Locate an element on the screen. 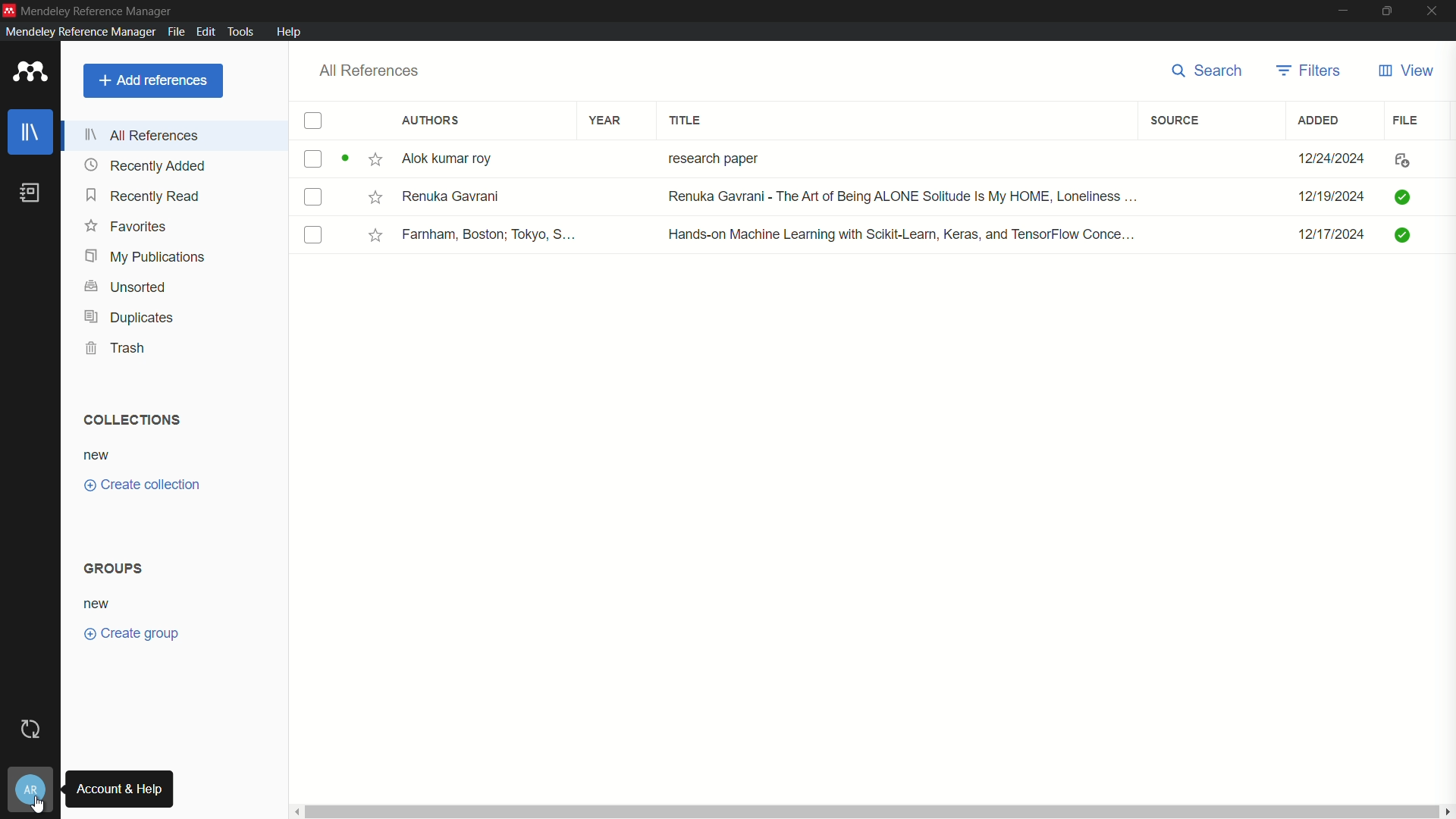 This screenshot has width=1456, height=819. app name is located at coordinates (99, 10).